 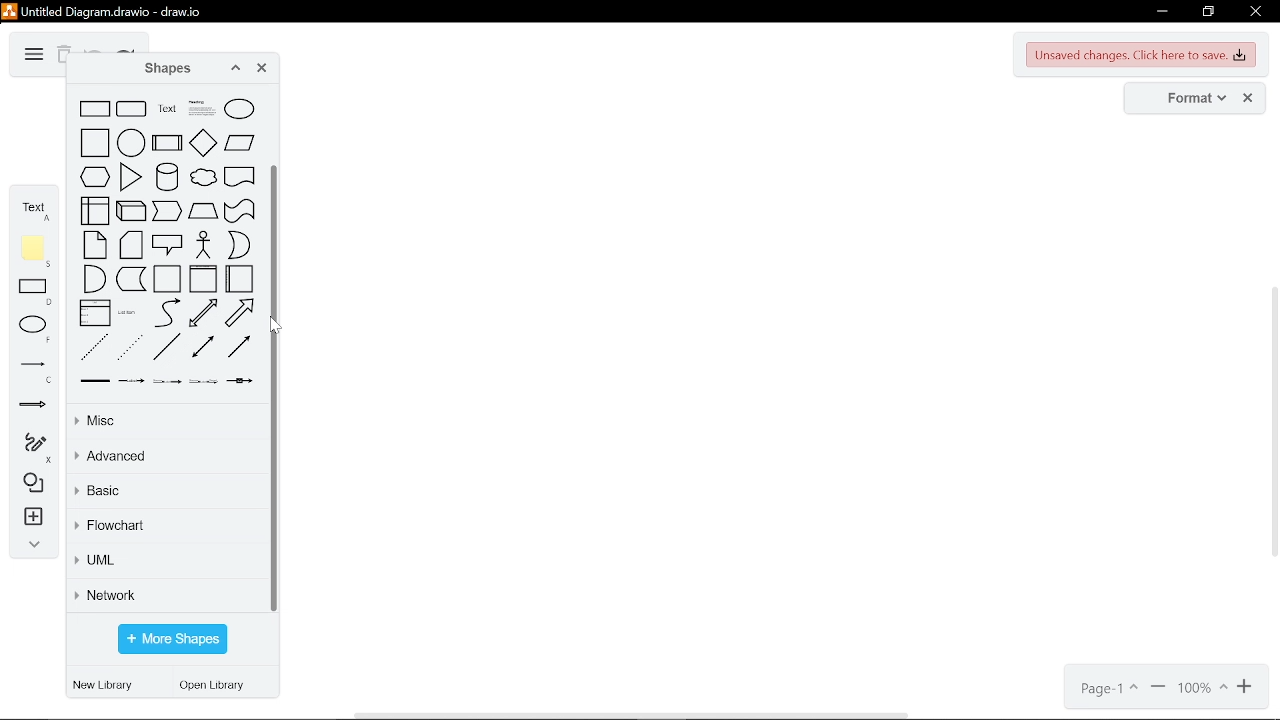 What do you see at coordinates (95, 210) in the screenshot?
I see `internal storage` at bounding box center [95, 210].